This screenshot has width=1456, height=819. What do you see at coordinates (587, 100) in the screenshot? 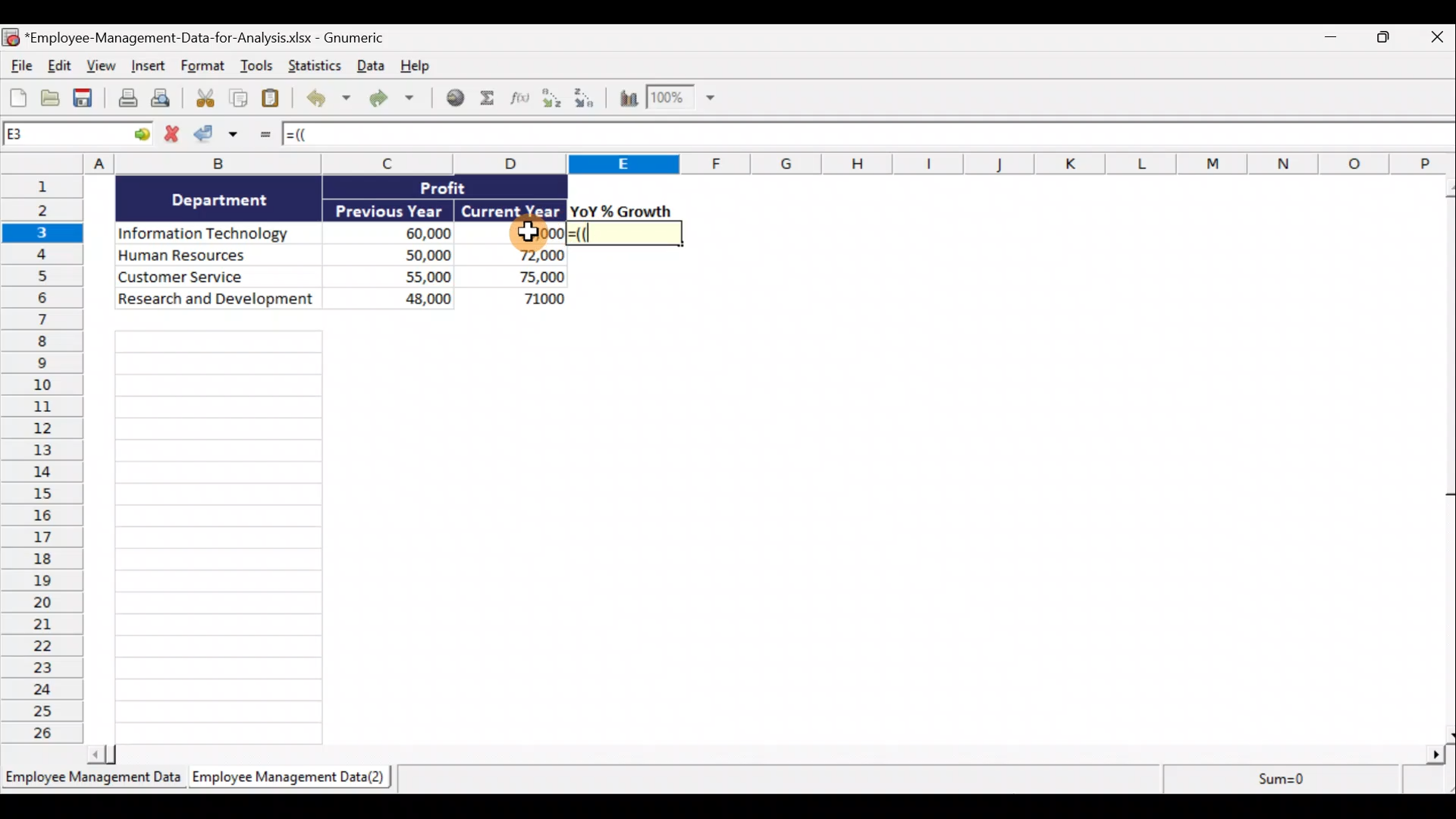
I see `Sort Descending` at bounding box center [587, 100].